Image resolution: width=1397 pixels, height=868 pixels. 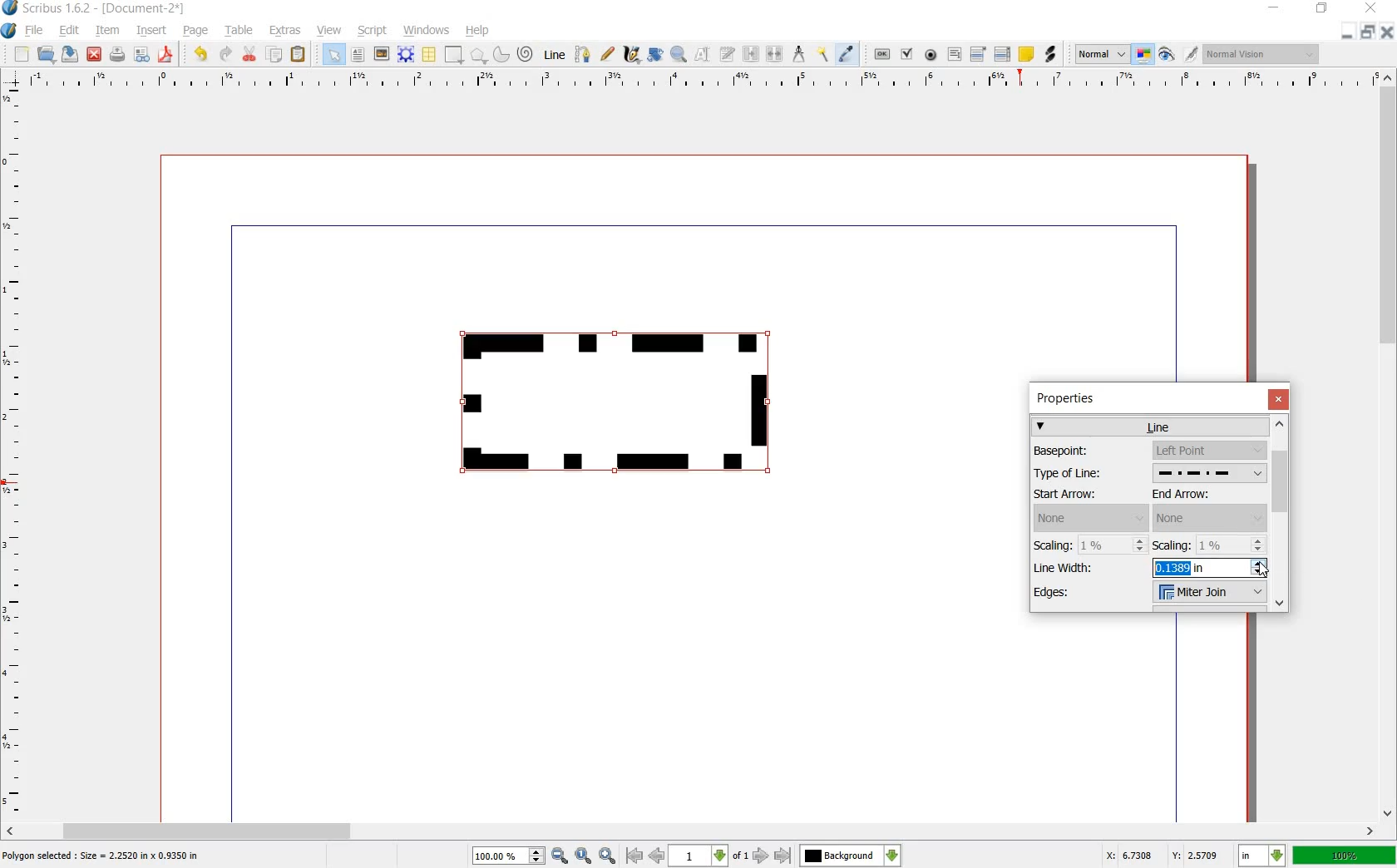 I want to click on IMAGE, so click(x=382, y=53).